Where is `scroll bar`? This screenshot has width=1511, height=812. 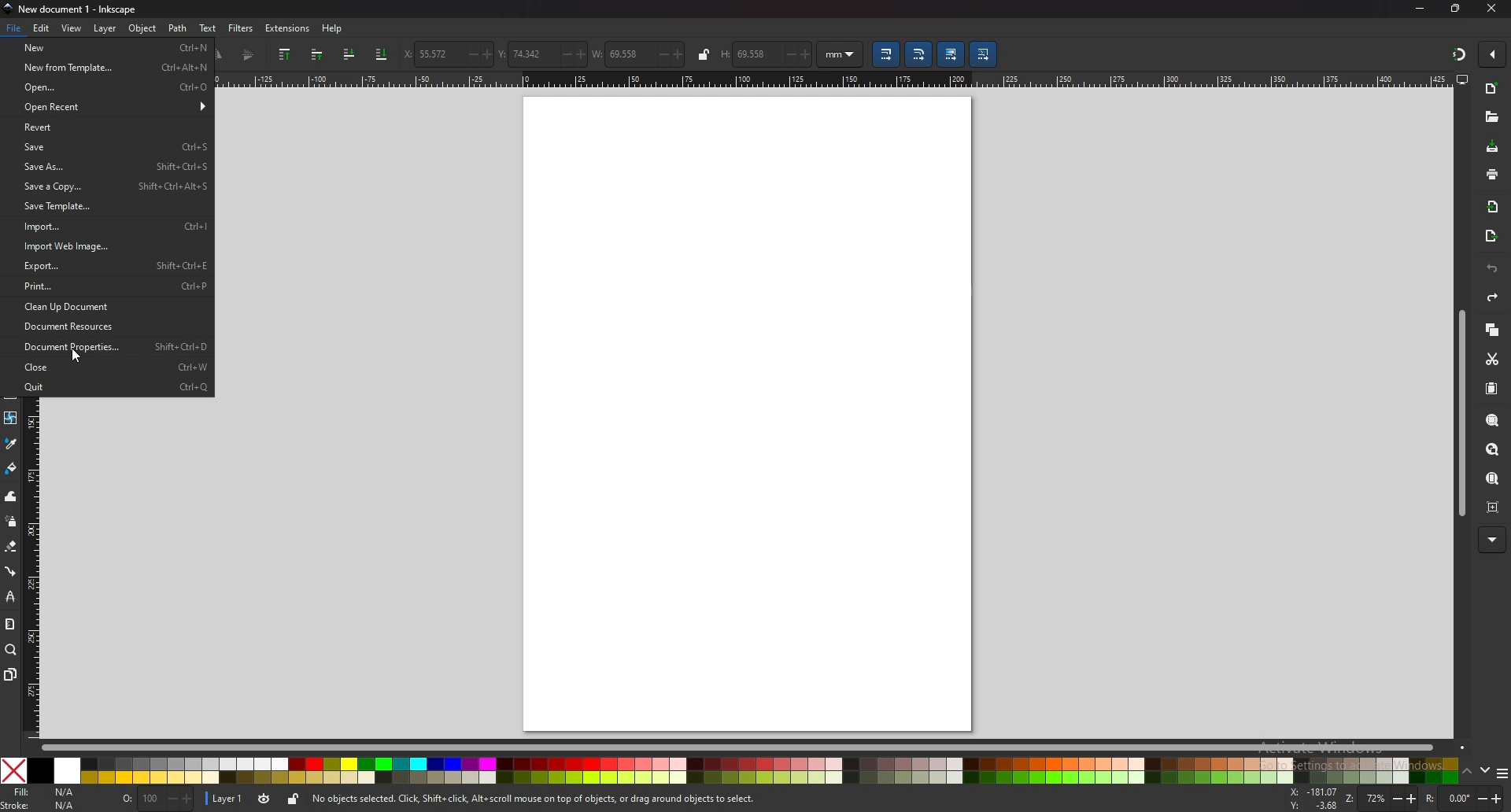
scroll bar is located at coordinates (756, 746).